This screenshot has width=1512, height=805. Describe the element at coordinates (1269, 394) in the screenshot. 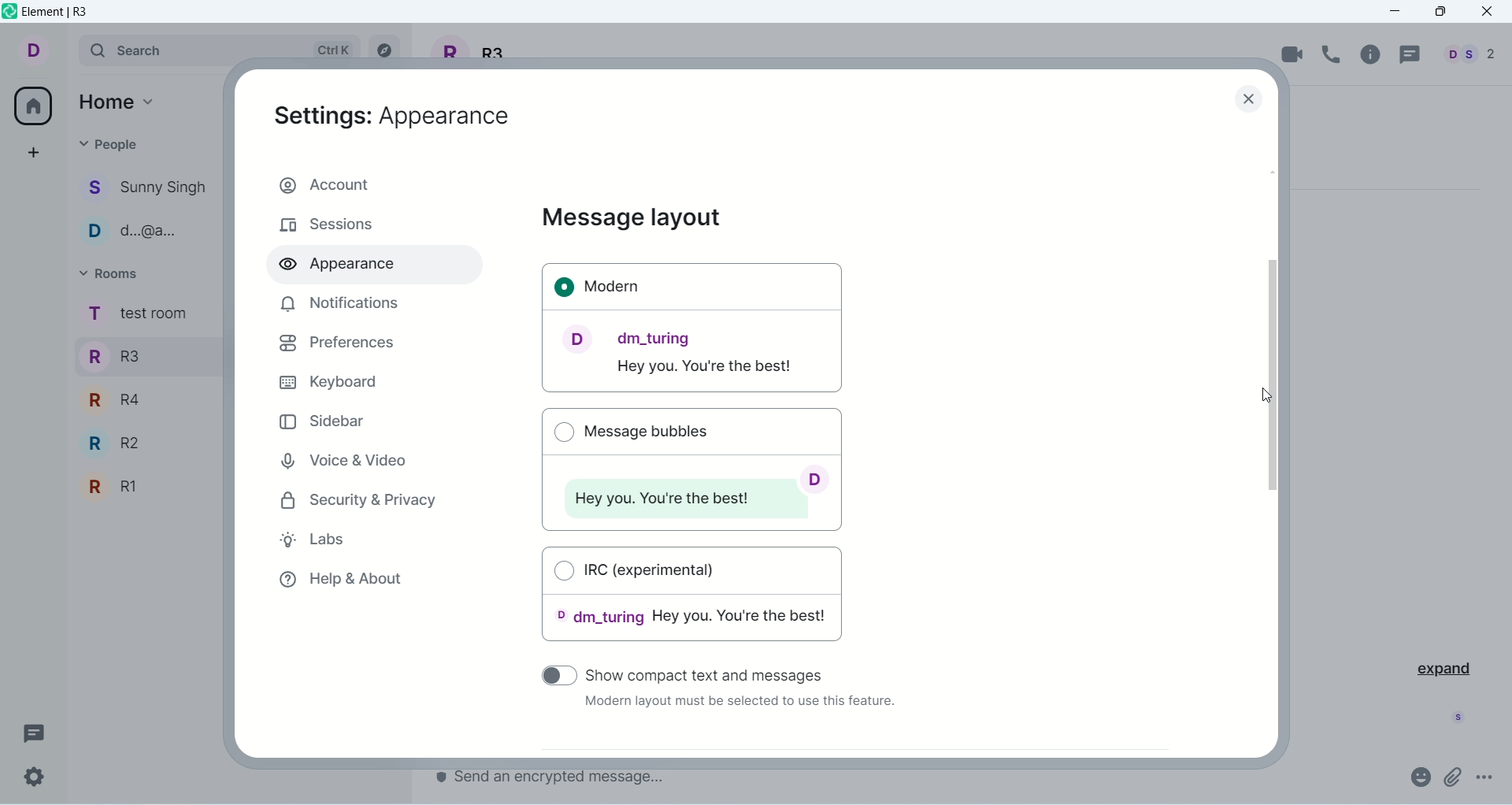

I see `cursor` at that location.